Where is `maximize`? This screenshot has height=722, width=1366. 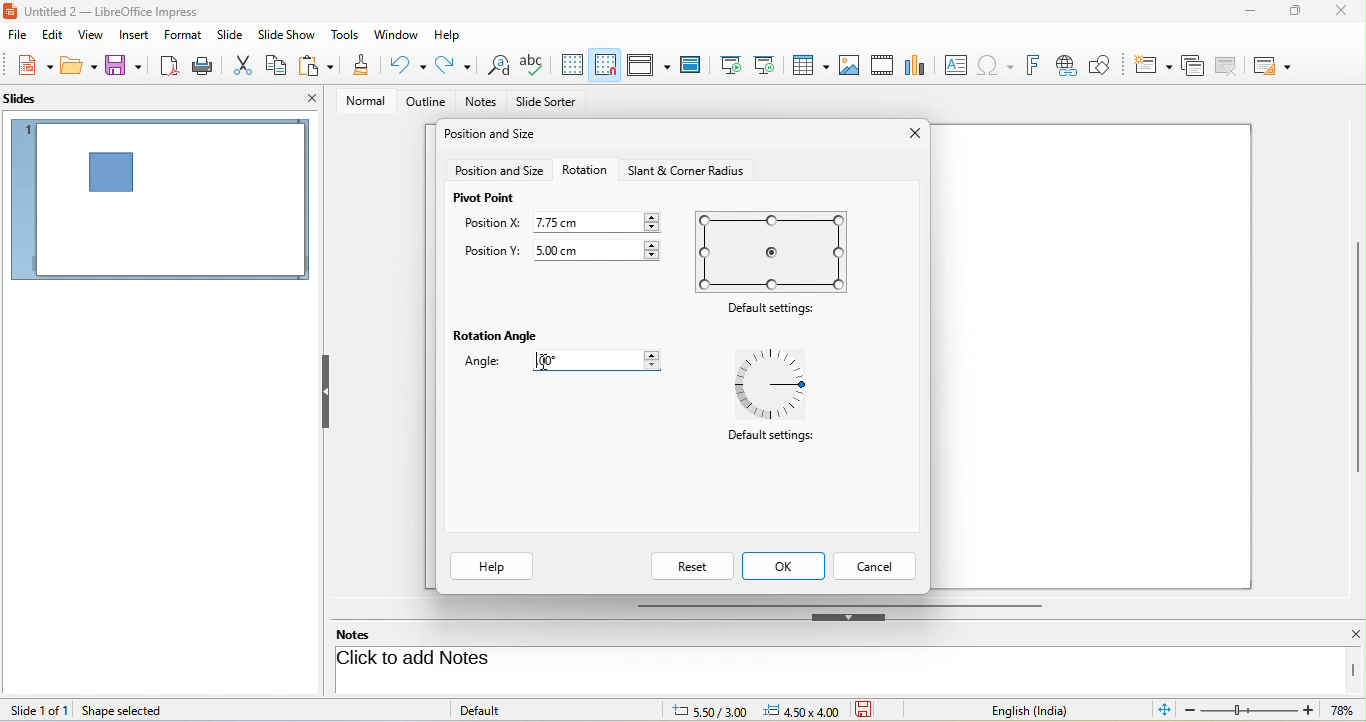 maximize is located at coordinates (1288, 15).